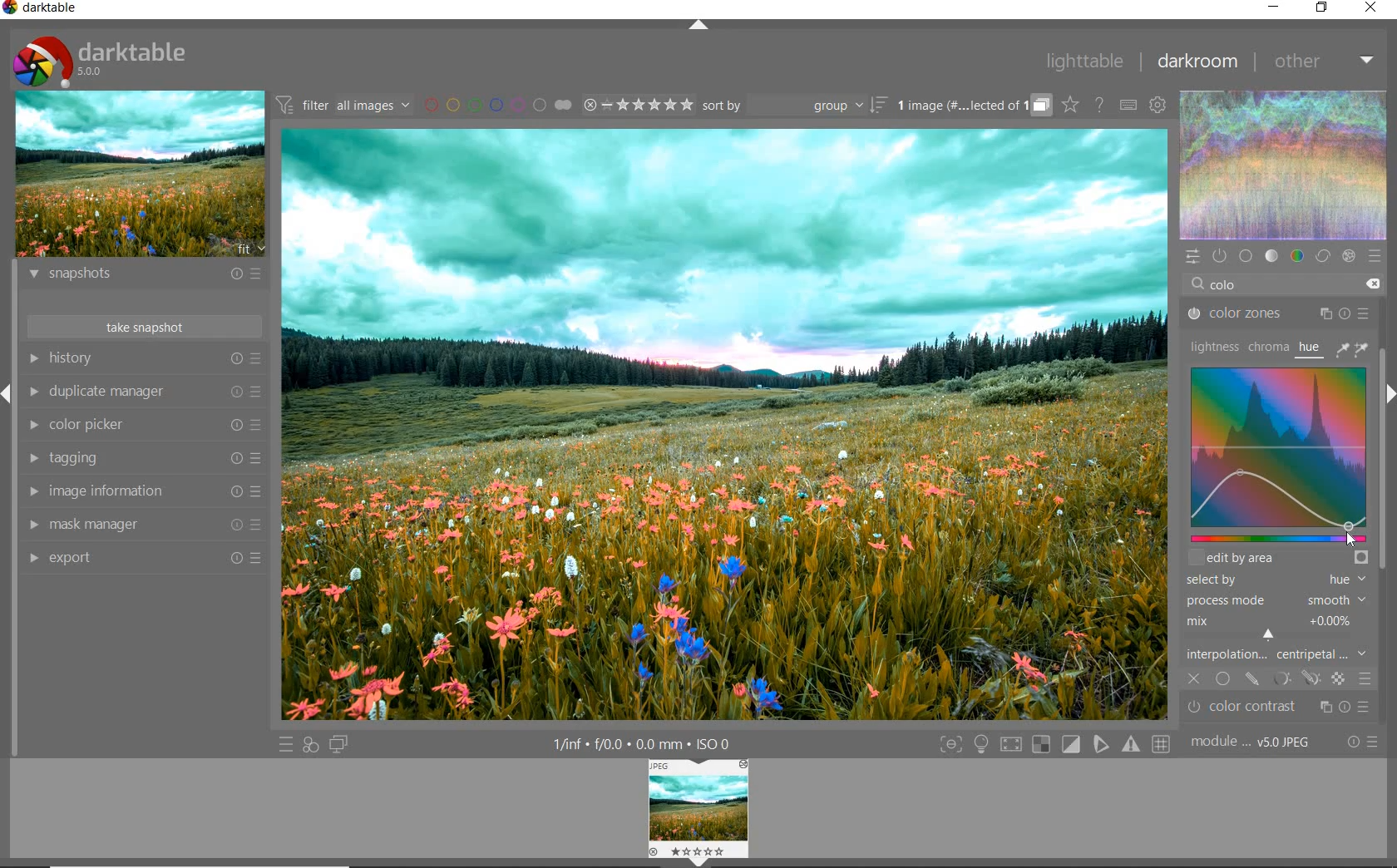 This screenshot has height=868, width=1397. I want to click on image information, so click(141, 492).